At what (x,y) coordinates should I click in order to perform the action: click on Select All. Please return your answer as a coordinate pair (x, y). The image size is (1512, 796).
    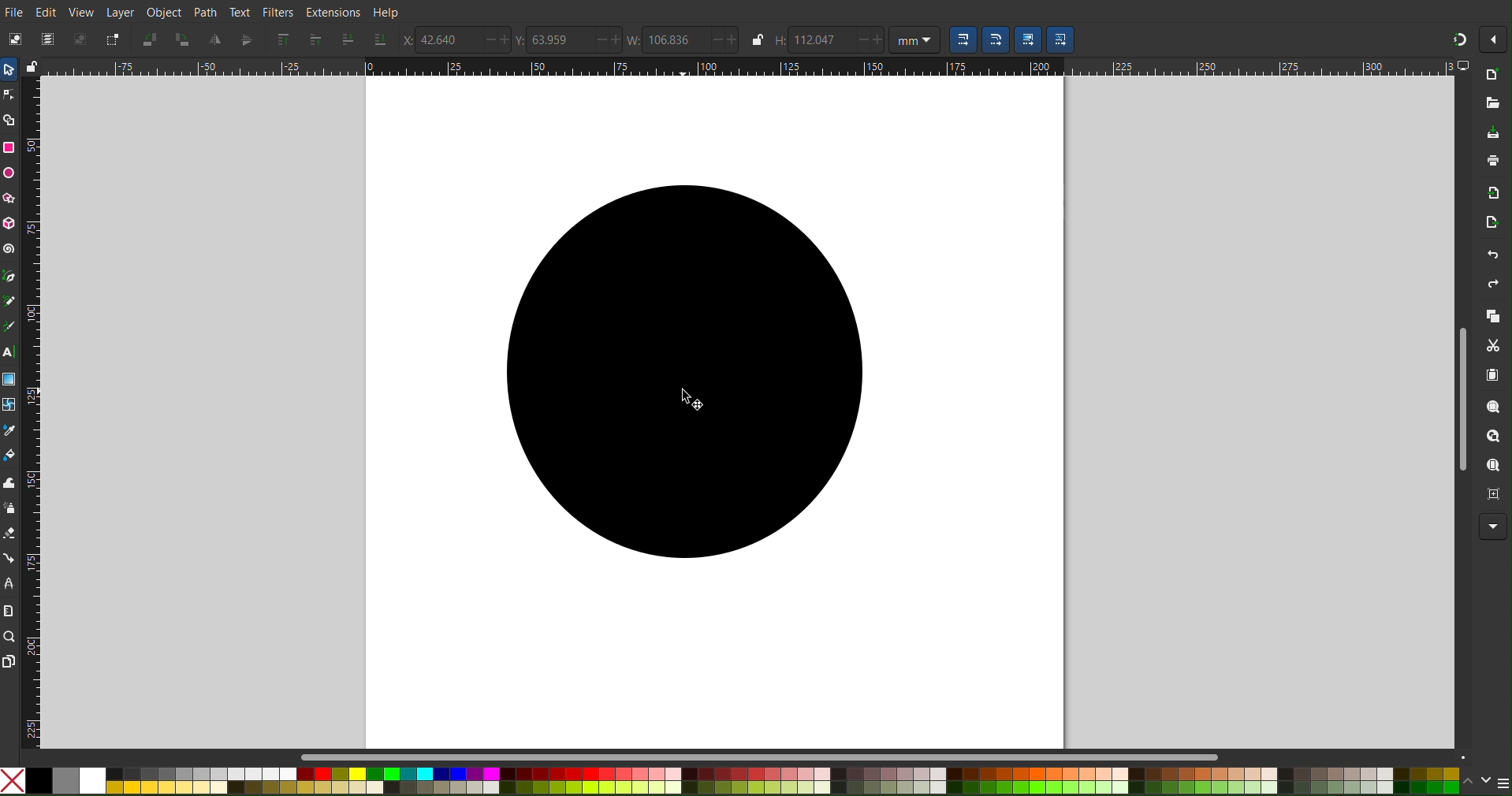
    Looking at the image, I should click on (47, 38).